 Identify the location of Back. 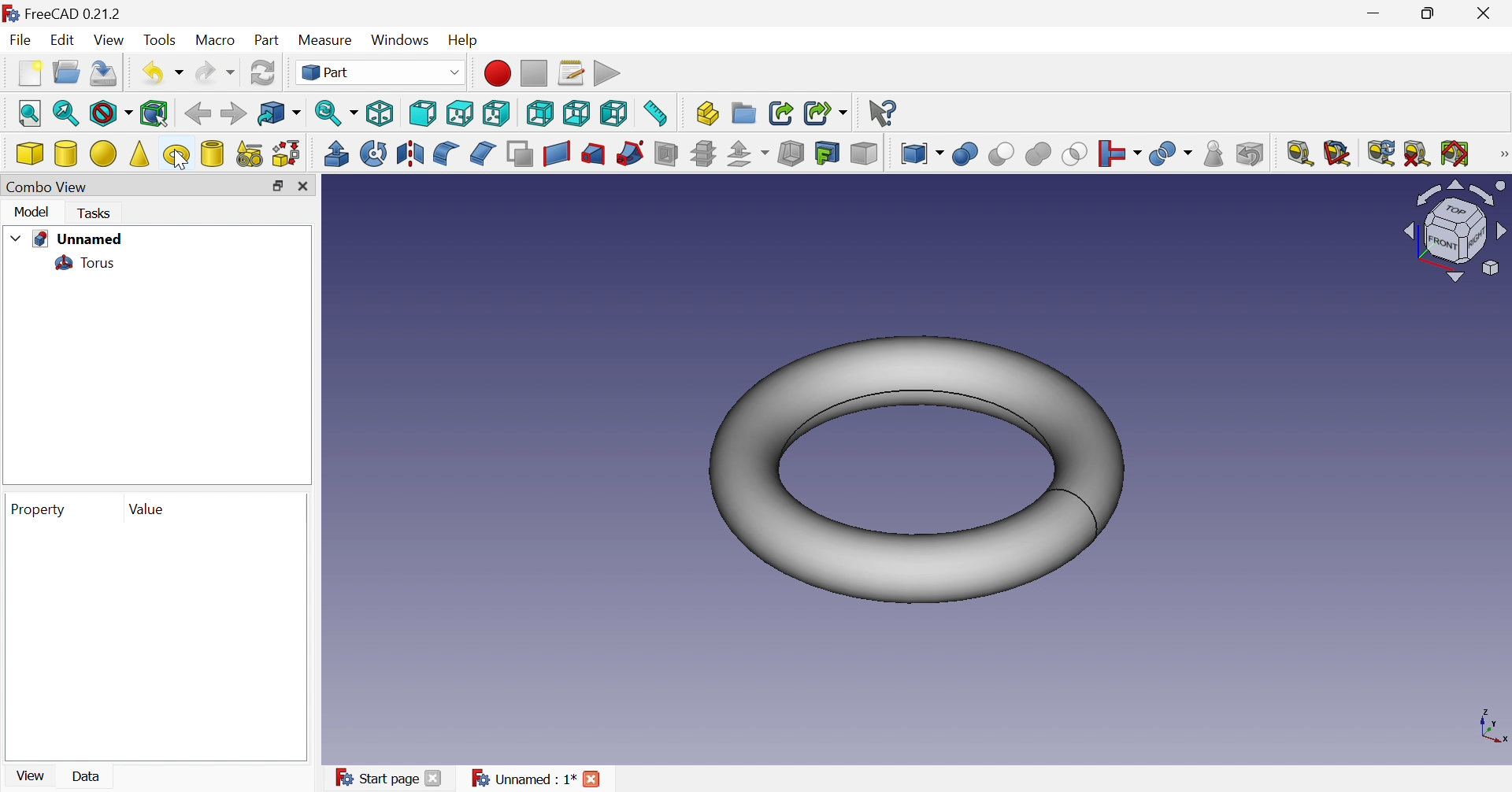
(196, 114).